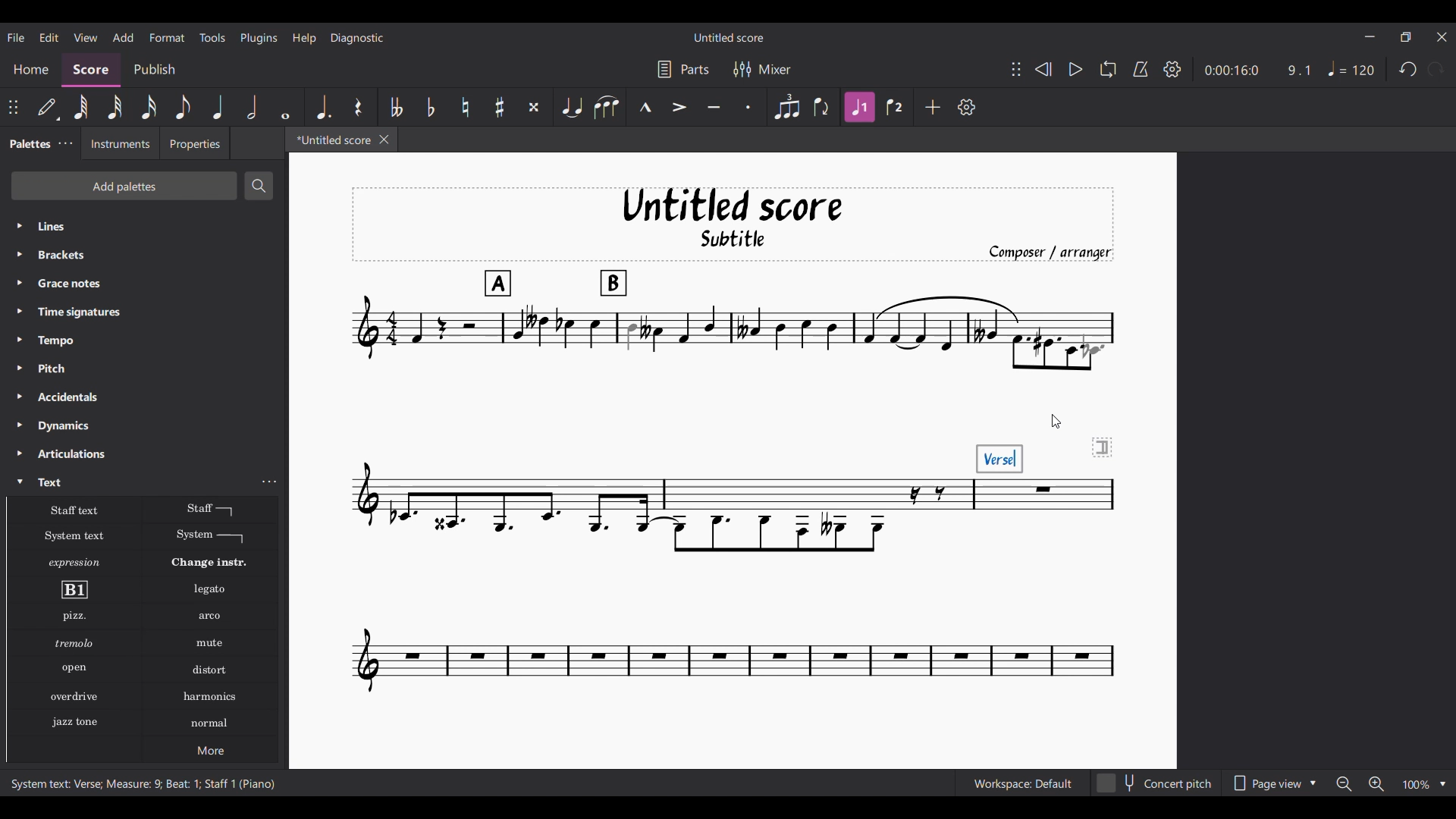 The image size is (1456, 819). Describe the element at coordinates (499, 107) in the screenshot. I see `Toggle sharp` at that location.